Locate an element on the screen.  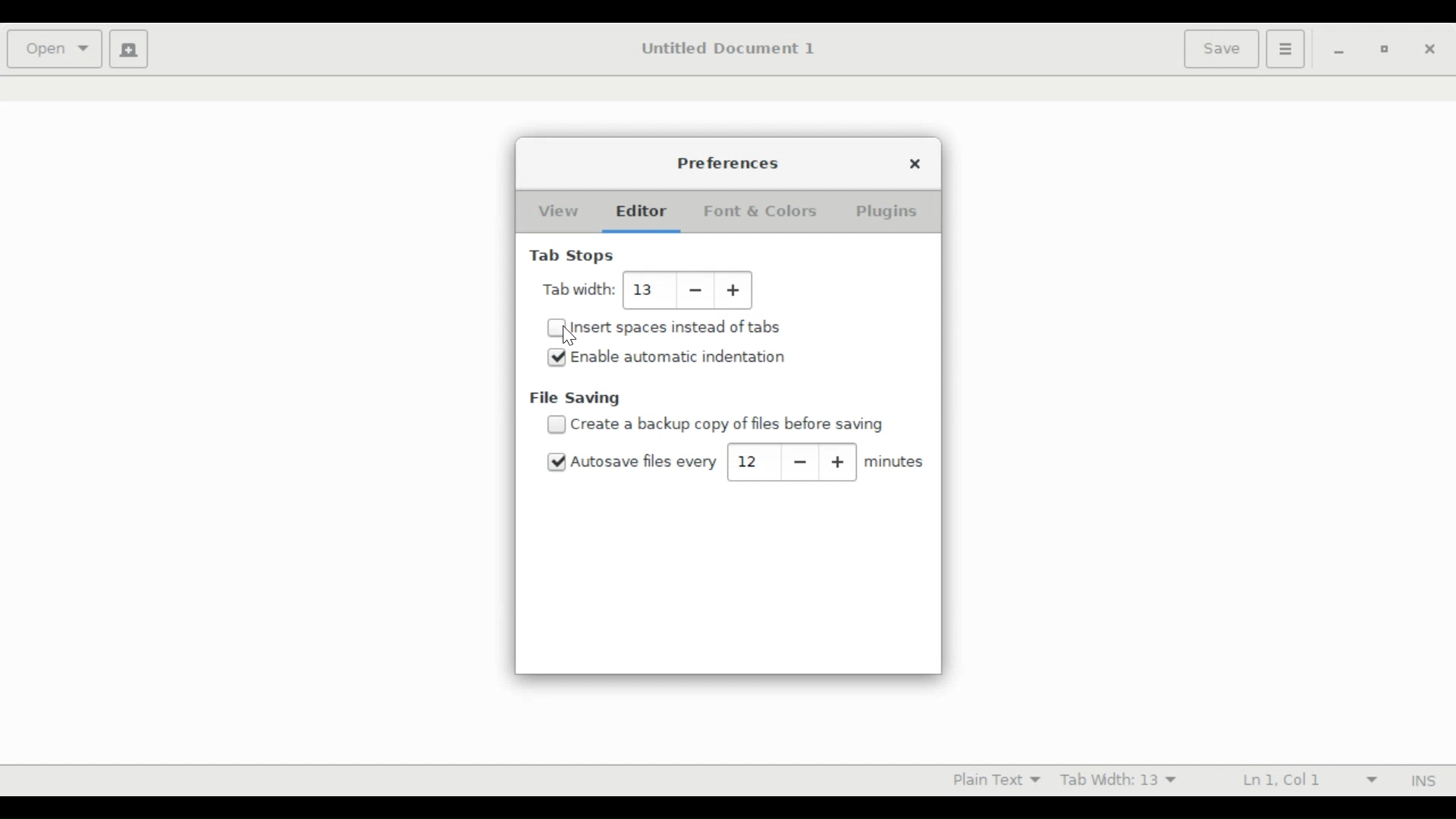
Create new document is located at coordinates (129, 49).